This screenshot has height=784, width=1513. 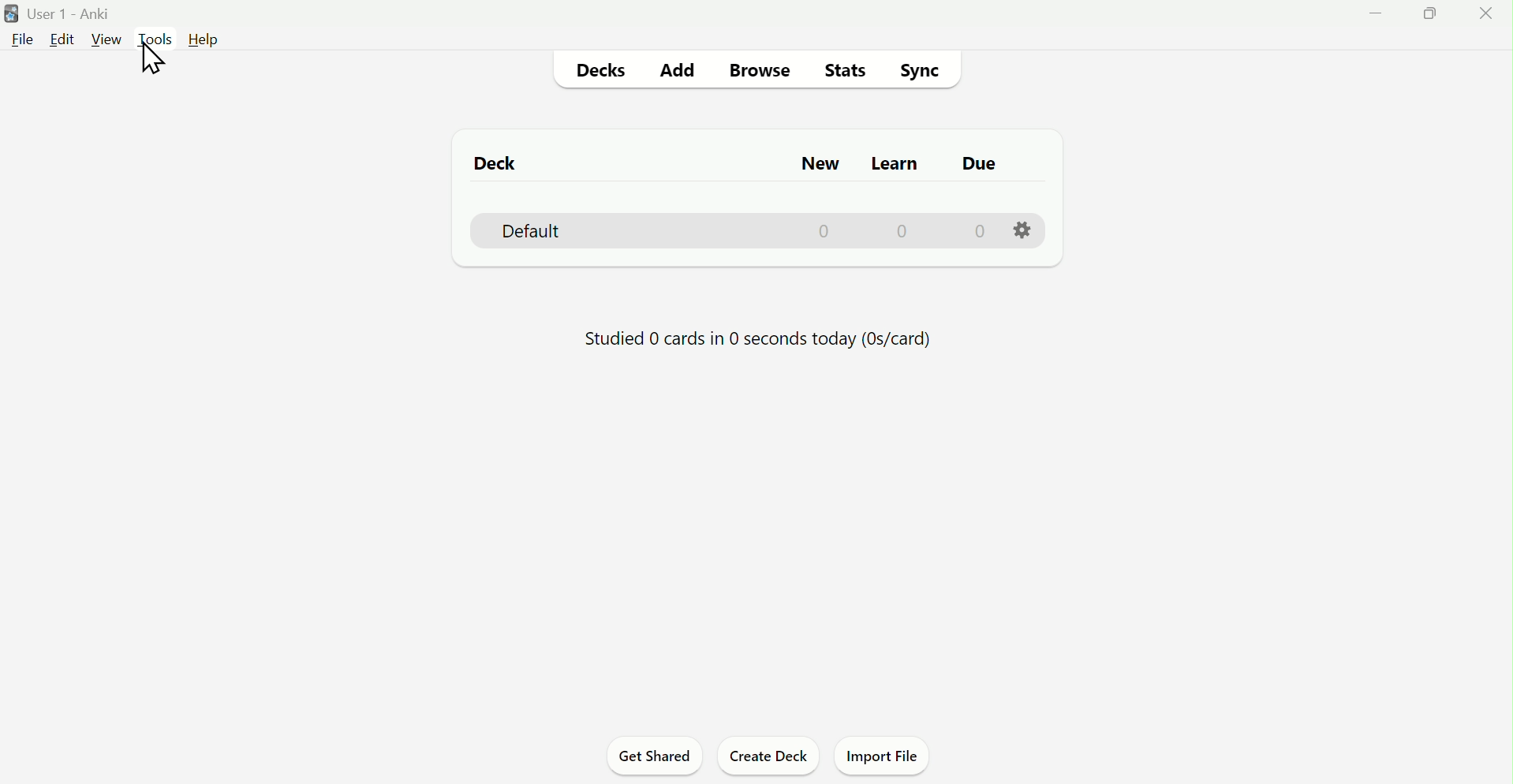 I want to click on Decks, so click(x=604, y=71).